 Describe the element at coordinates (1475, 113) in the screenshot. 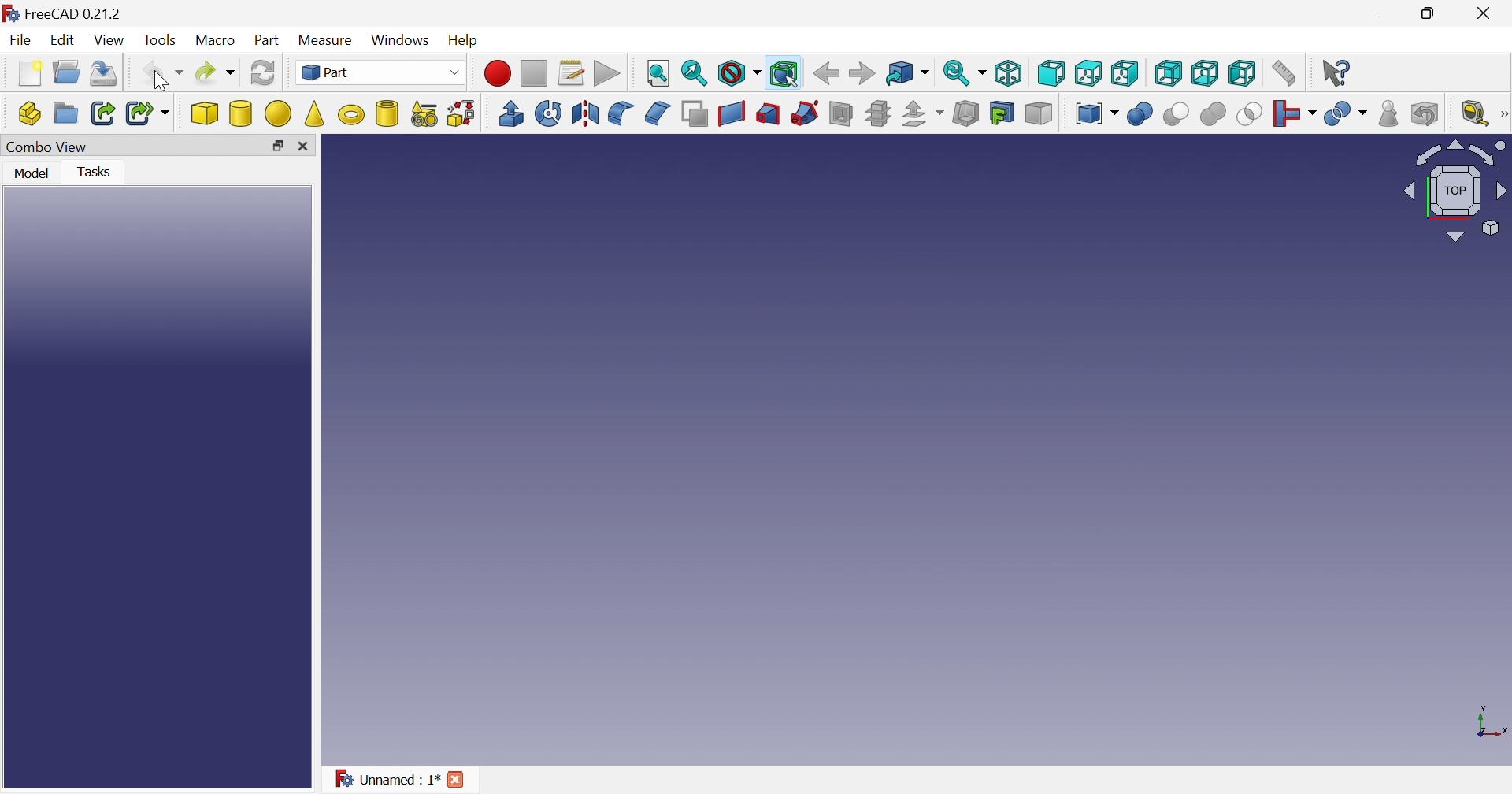

I see `Measure liner` at that location.